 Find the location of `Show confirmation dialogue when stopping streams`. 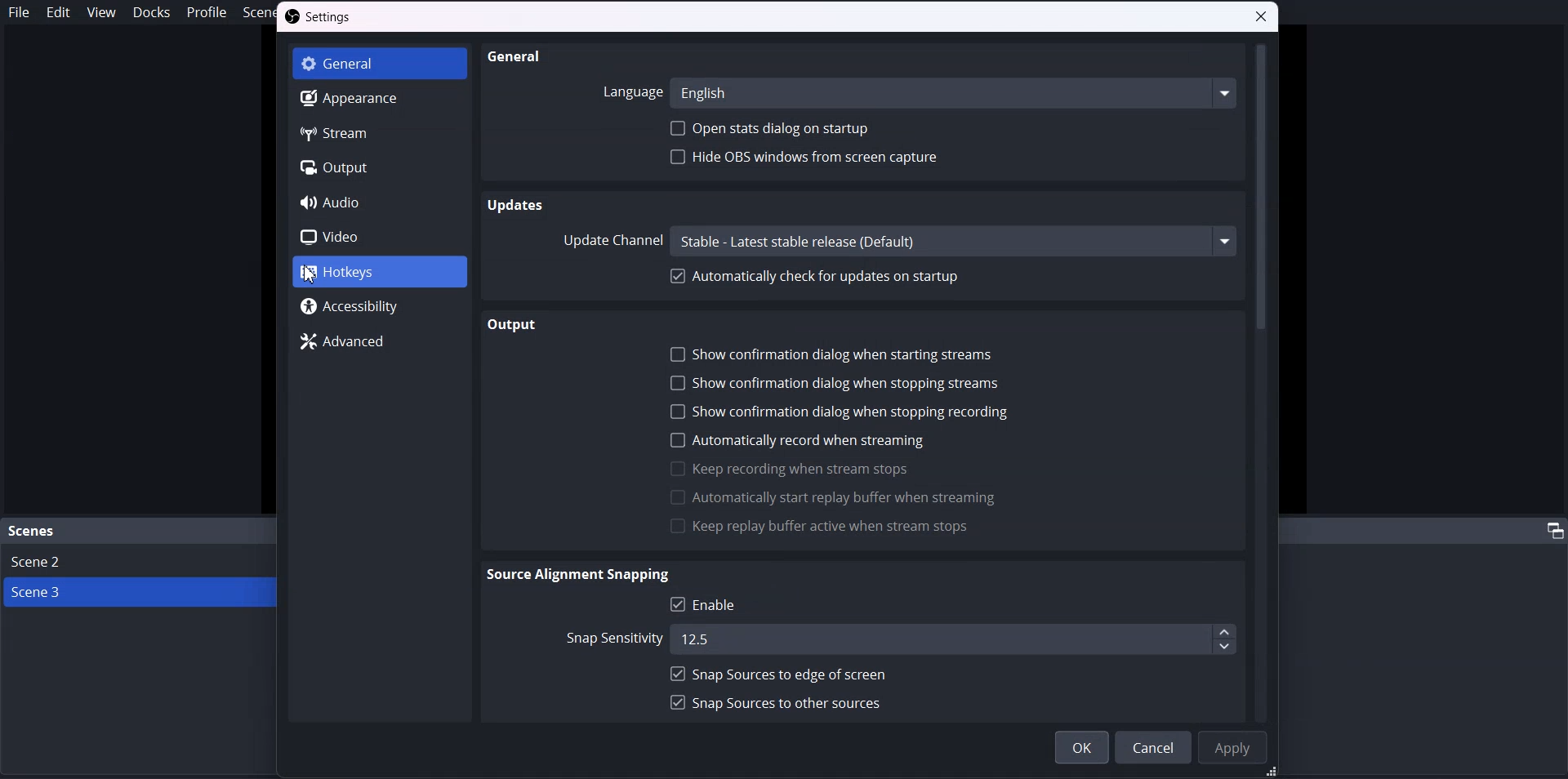

Show confirmation dialogue when stopping streams is located at coordinates (835, 383).